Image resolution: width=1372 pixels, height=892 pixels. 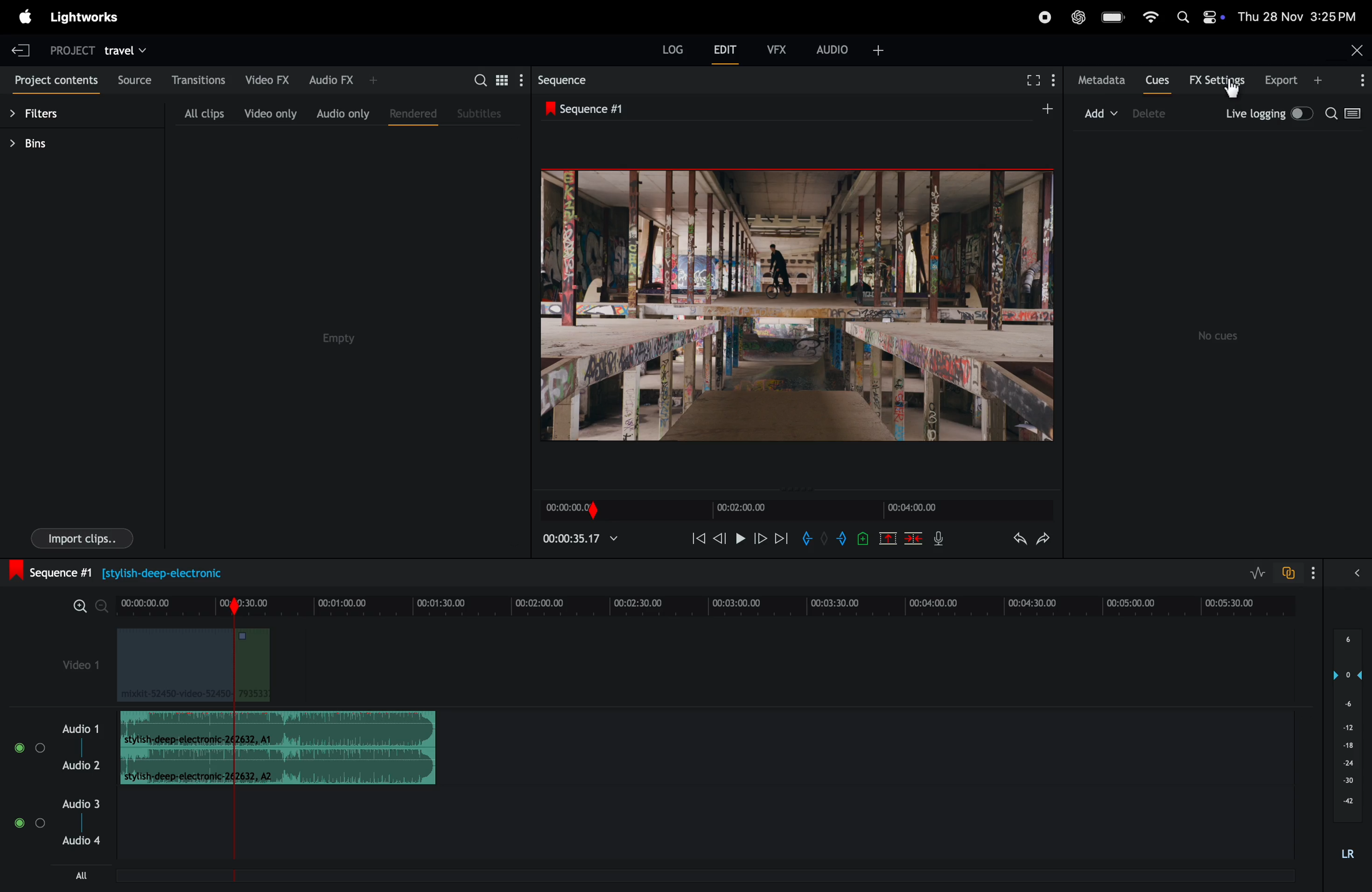 I want to click on light works menu, so click(x=92, y=18).